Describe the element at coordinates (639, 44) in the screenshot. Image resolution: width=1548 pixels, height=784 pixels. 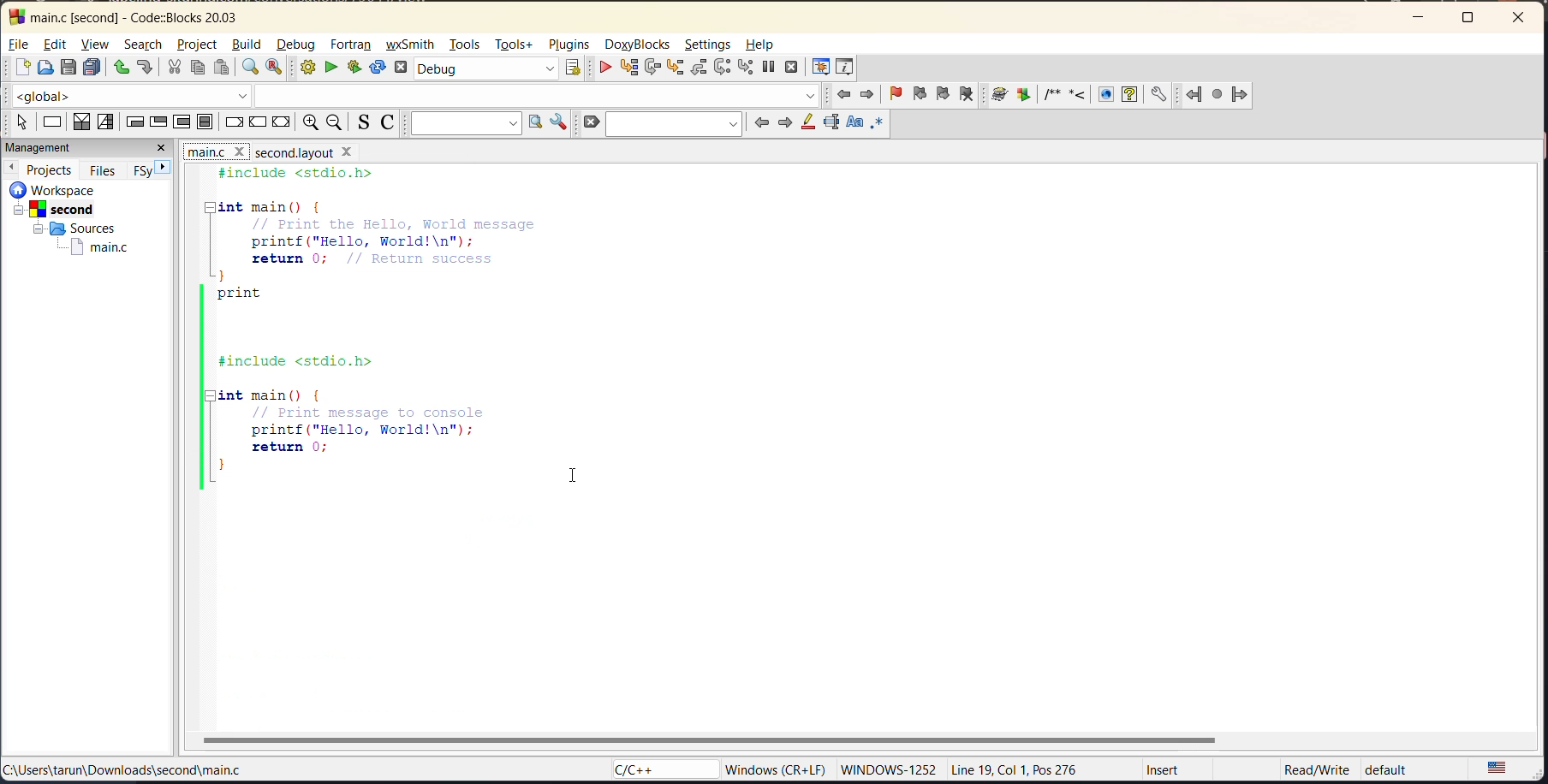
I see `doxyblocks` at that location.